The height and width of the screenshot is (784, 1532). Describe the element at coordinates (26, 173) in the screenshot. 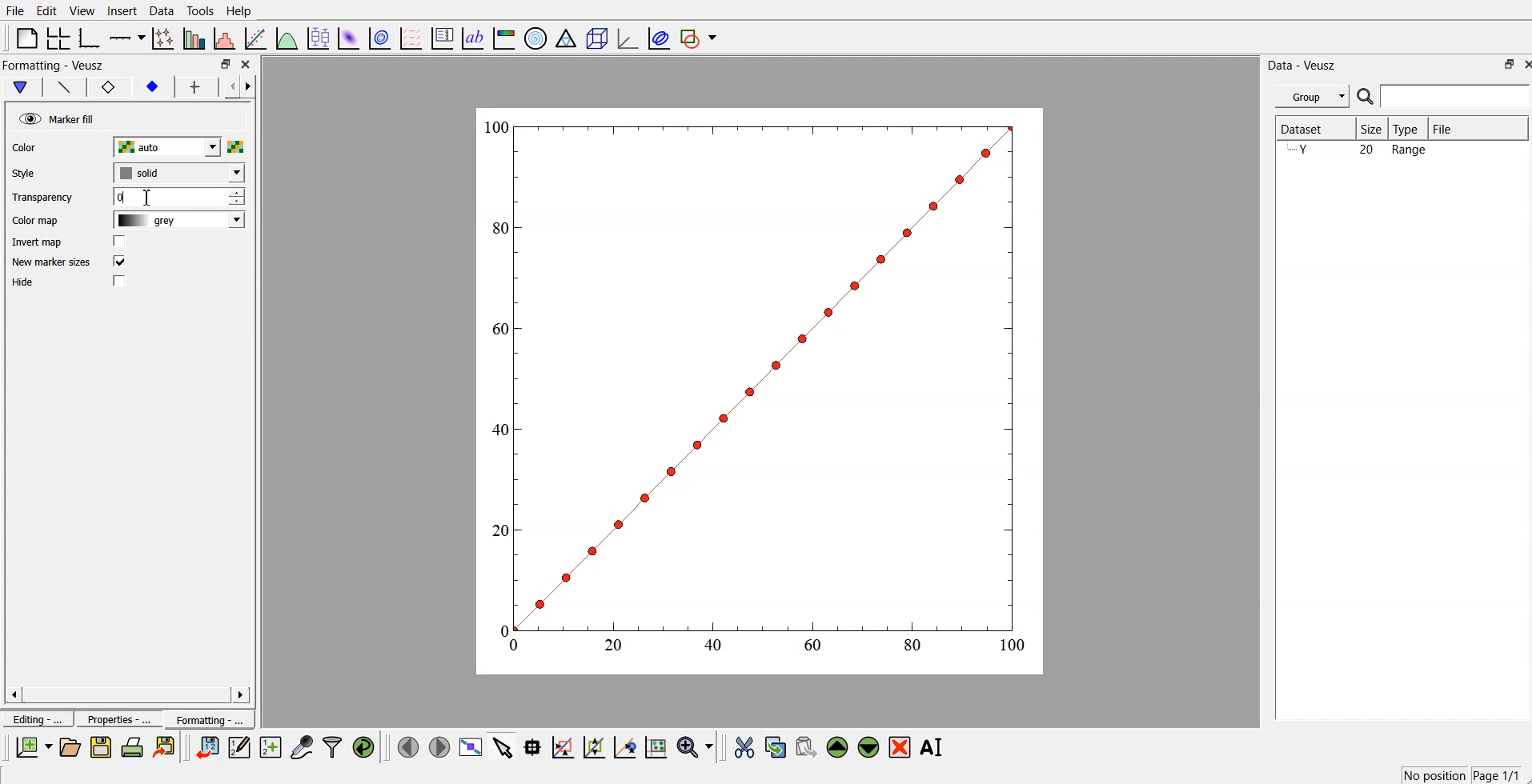

I see `| Style` at that location.